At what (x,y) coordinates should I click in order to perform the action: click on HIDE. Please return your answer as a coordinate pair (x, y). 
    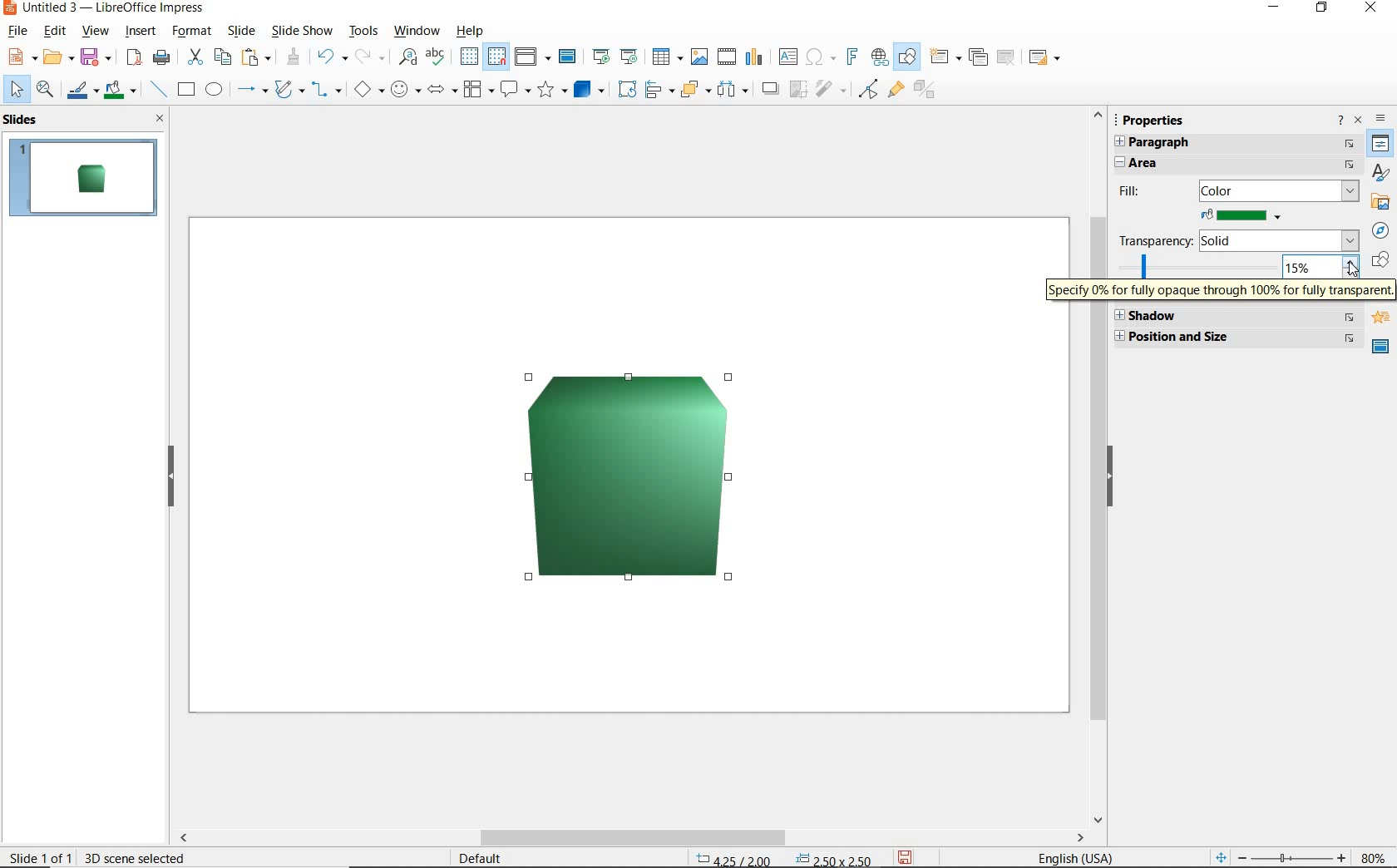
    Looking at the image, I should click on (1113, 479).